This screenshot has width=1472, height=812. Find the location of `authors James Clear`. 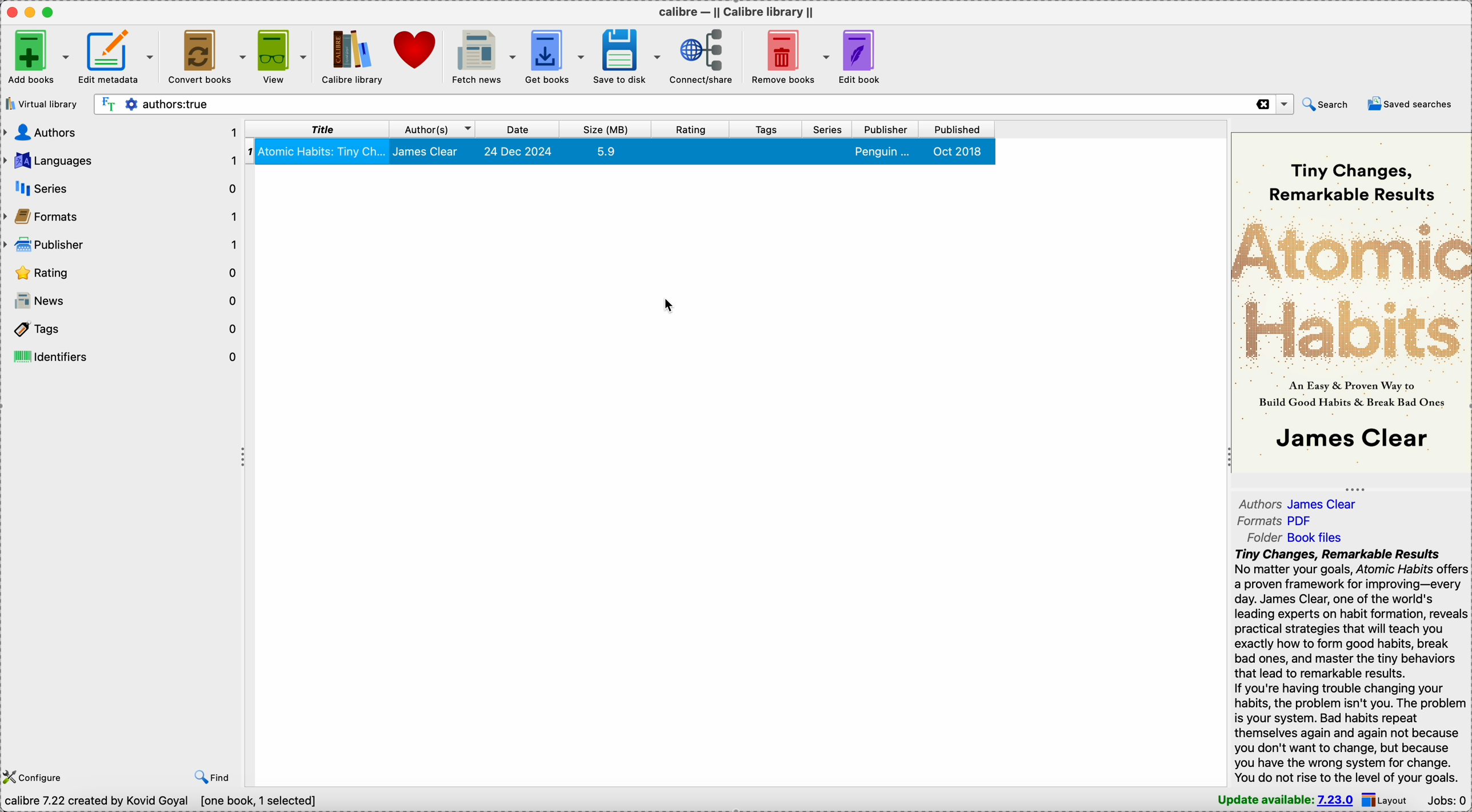

authors James Clear is located at coordinates (1300, 503).